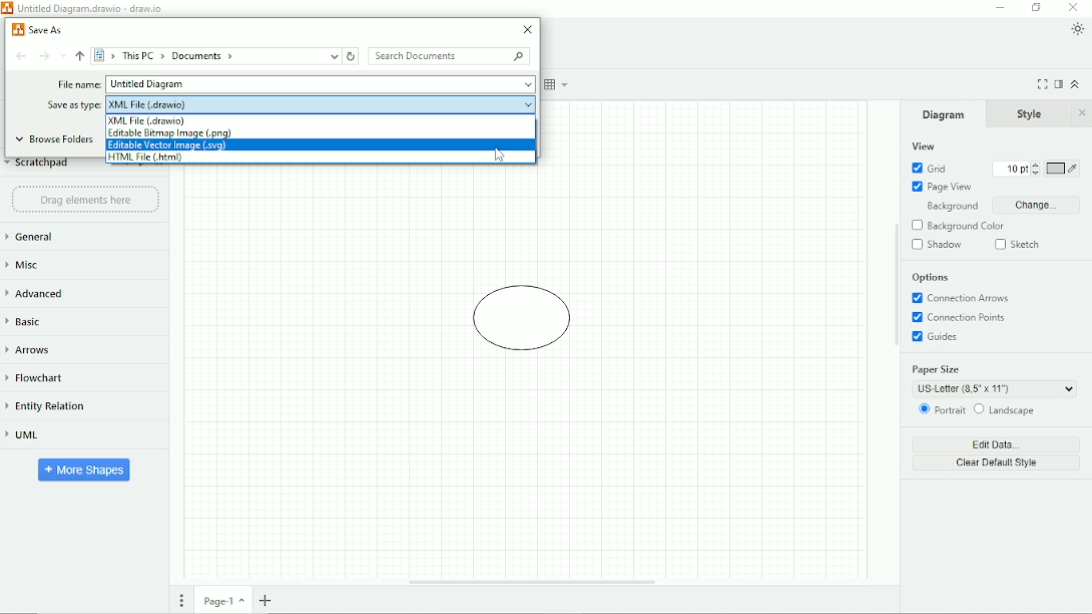 This screenshot has width=1092, height=614. I want to click on View, so click(922, 146).